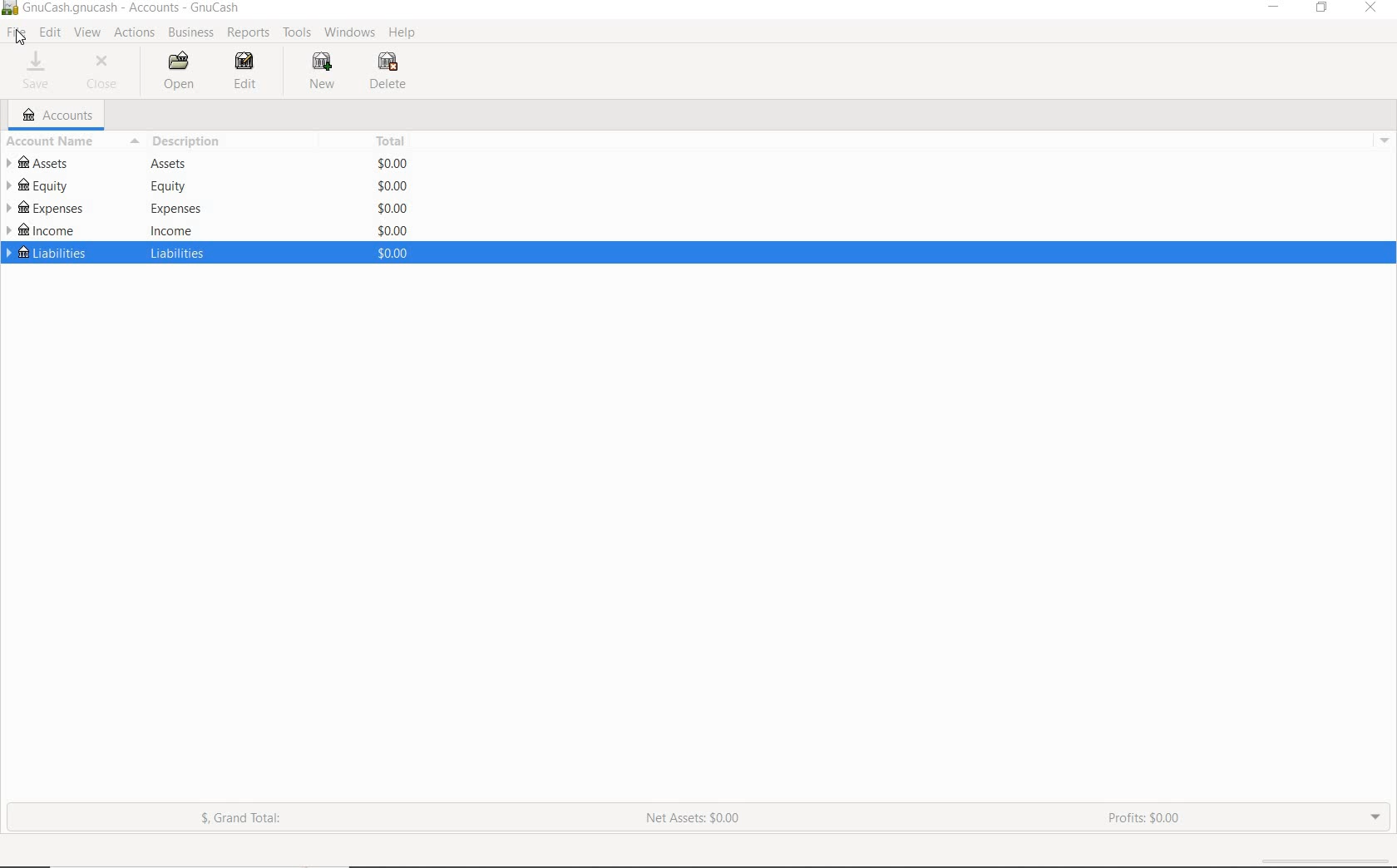 The image size is (1397, 868). What do you see at coordinates (394, 186) in the screenshot?
I see `$0.00` at bounding box center [394, 186].